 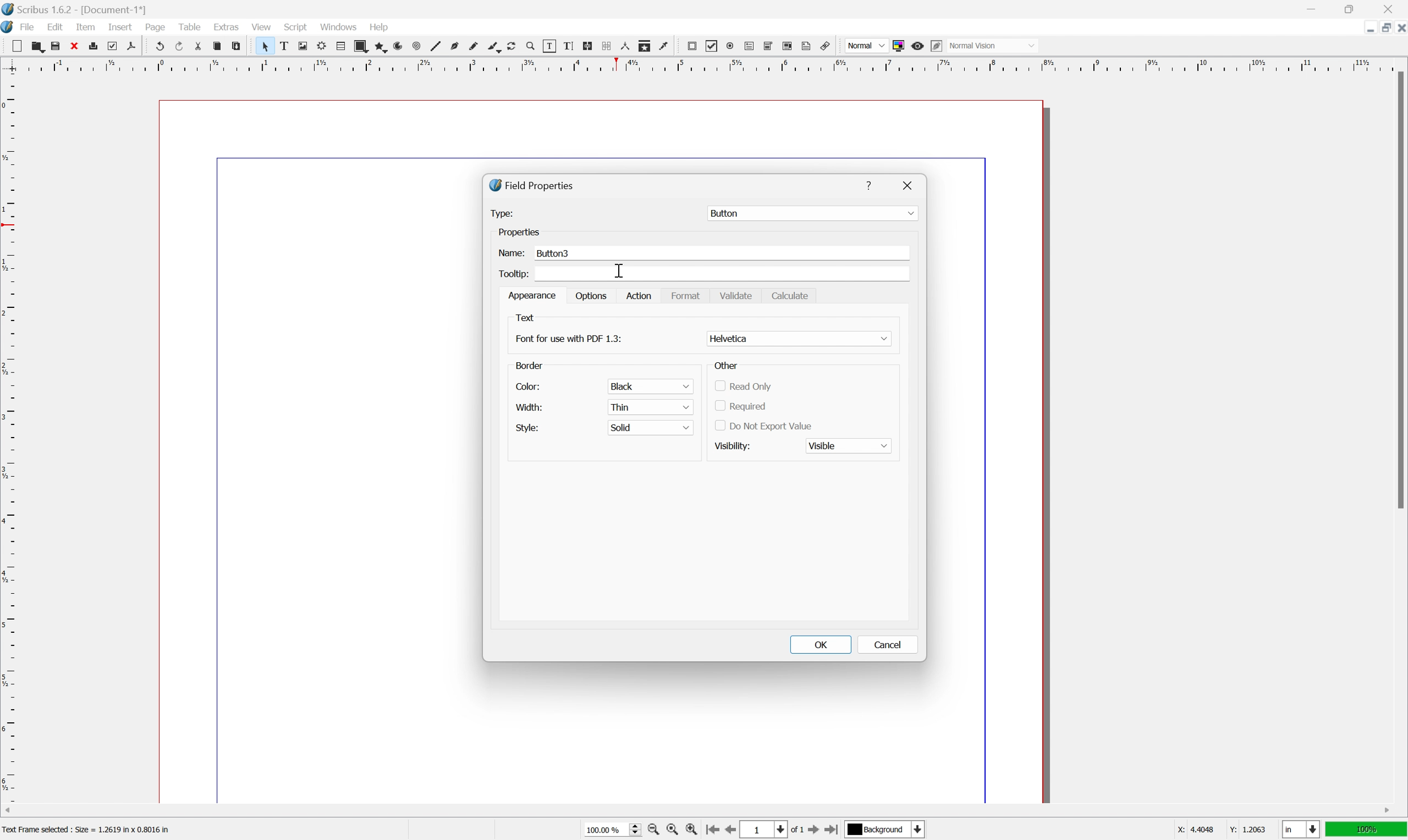 What do you see at coordinates (730, 832) in the screenshot?
I see `go to previous page` at bounding box center [730, 832].